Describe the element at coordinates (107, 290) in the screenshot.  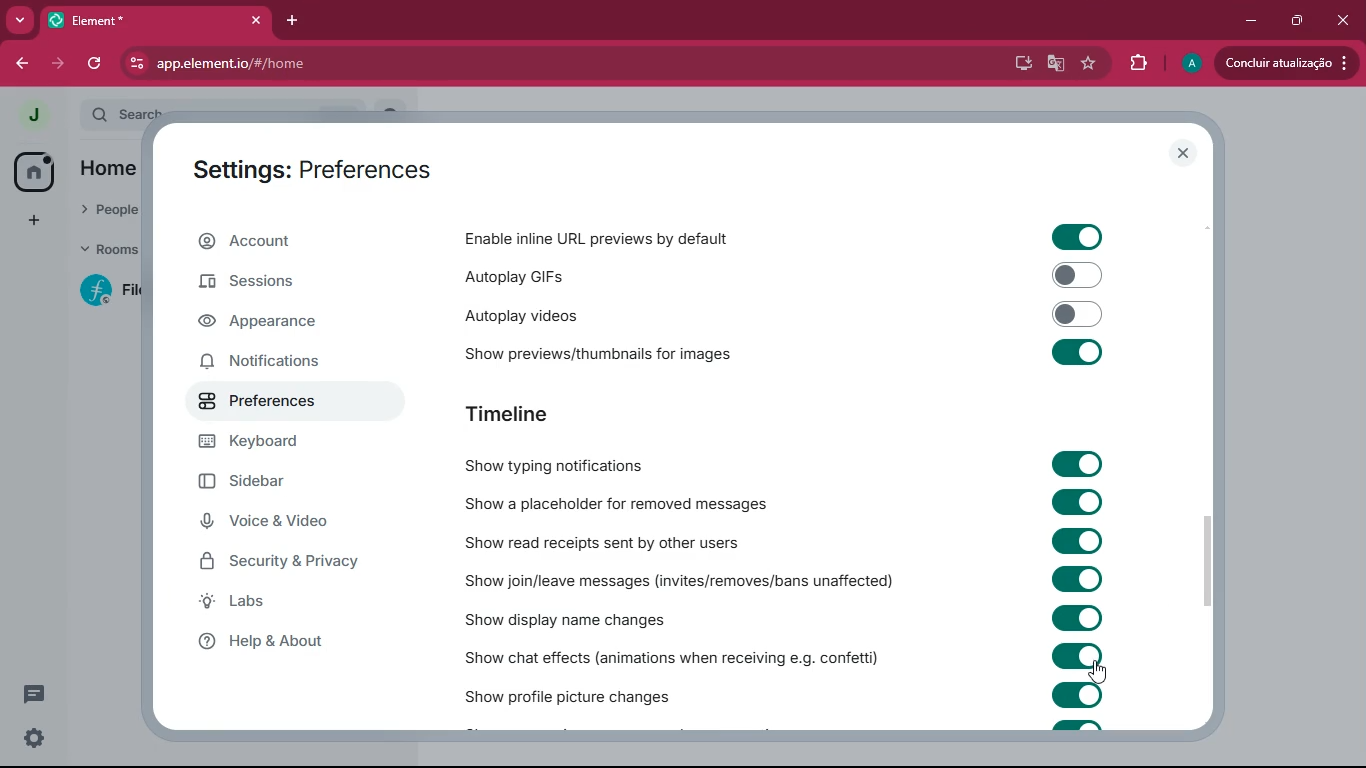
I see `filecoin lotus implementation` at that location.